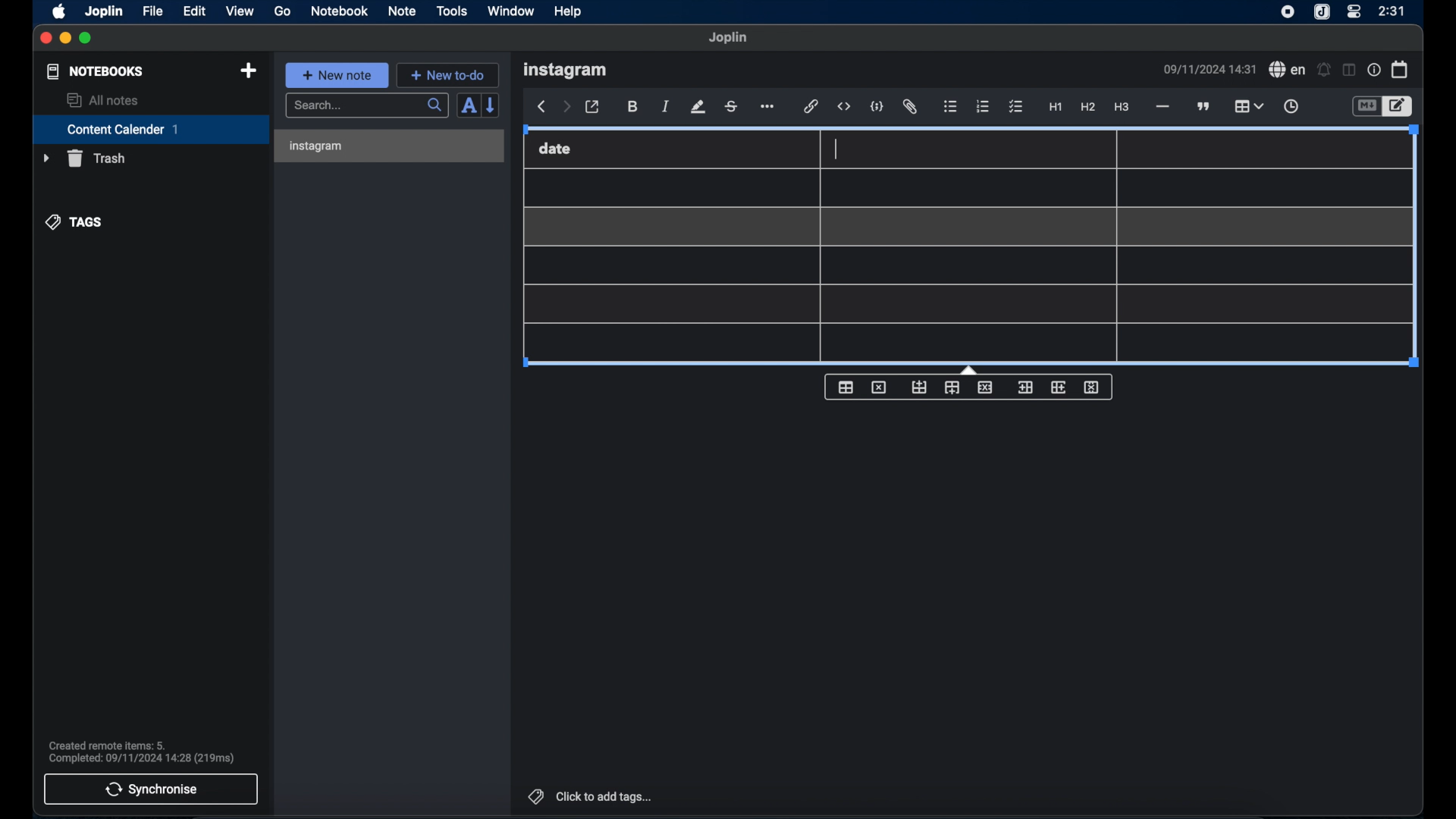  What do you see at coordinates (730, 108) in the screenshot?
I see `strikethrough` at bounding box center [730, 108].